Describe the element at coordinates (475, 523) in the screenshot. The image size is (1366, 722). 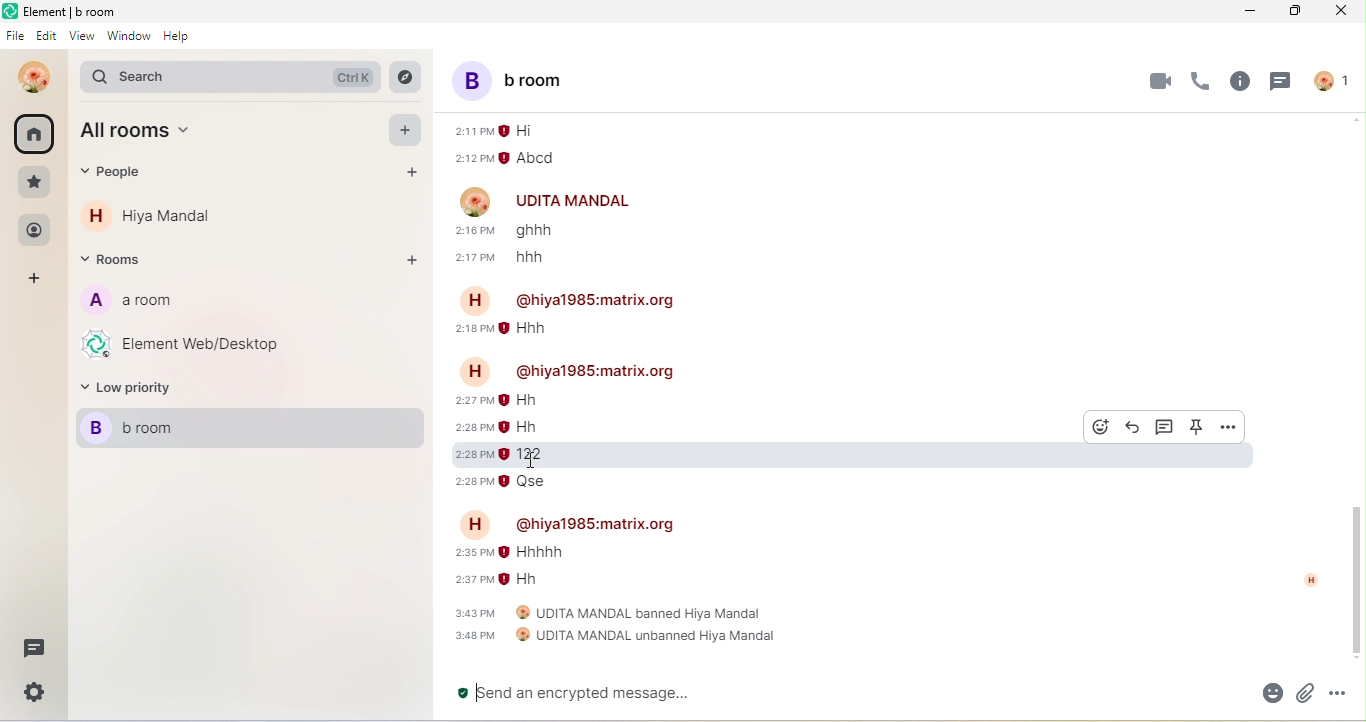
I see `H` at that location.